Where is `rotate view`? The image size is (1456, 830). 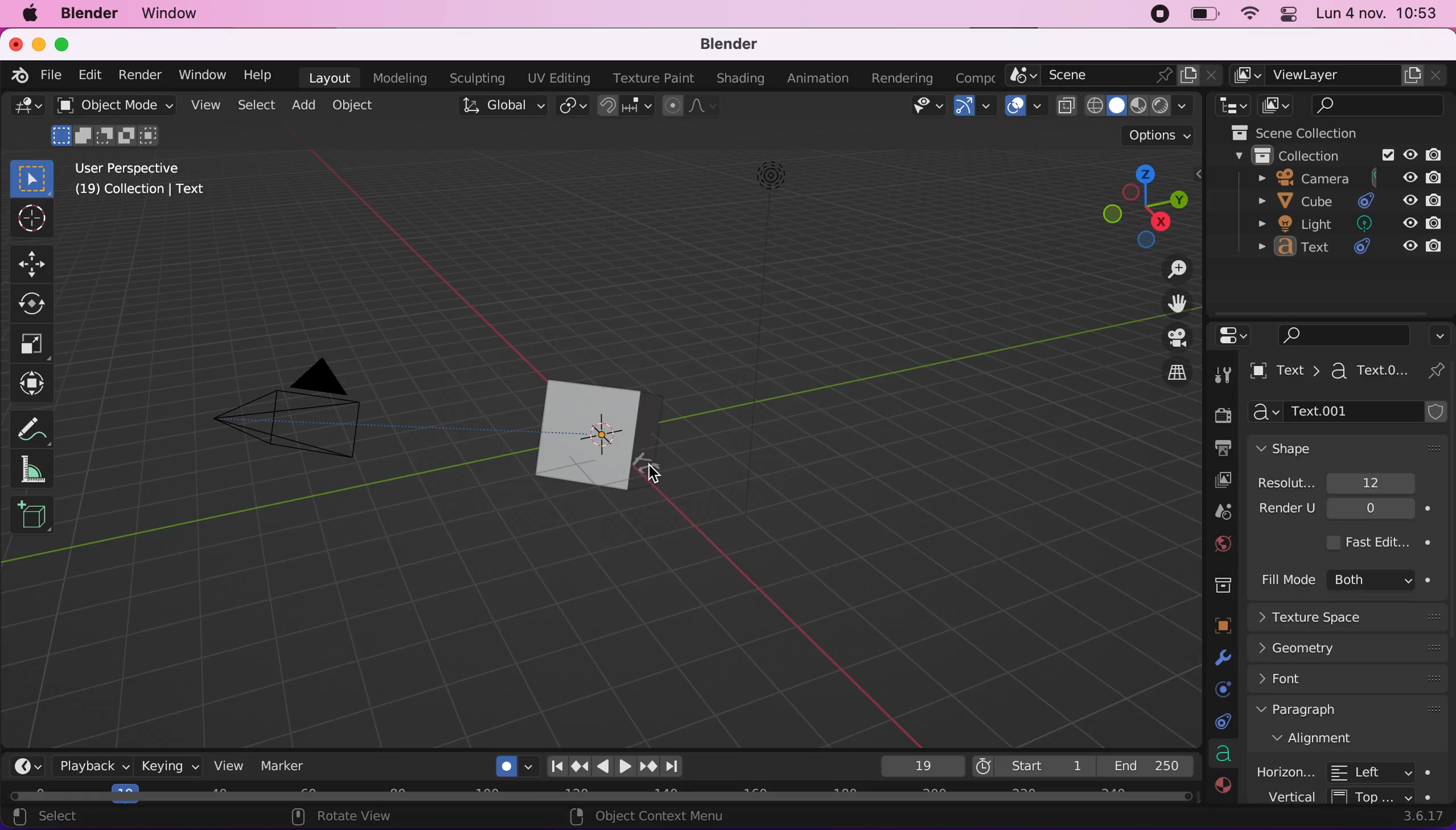
rotate view is located at coordinates (378, 819).